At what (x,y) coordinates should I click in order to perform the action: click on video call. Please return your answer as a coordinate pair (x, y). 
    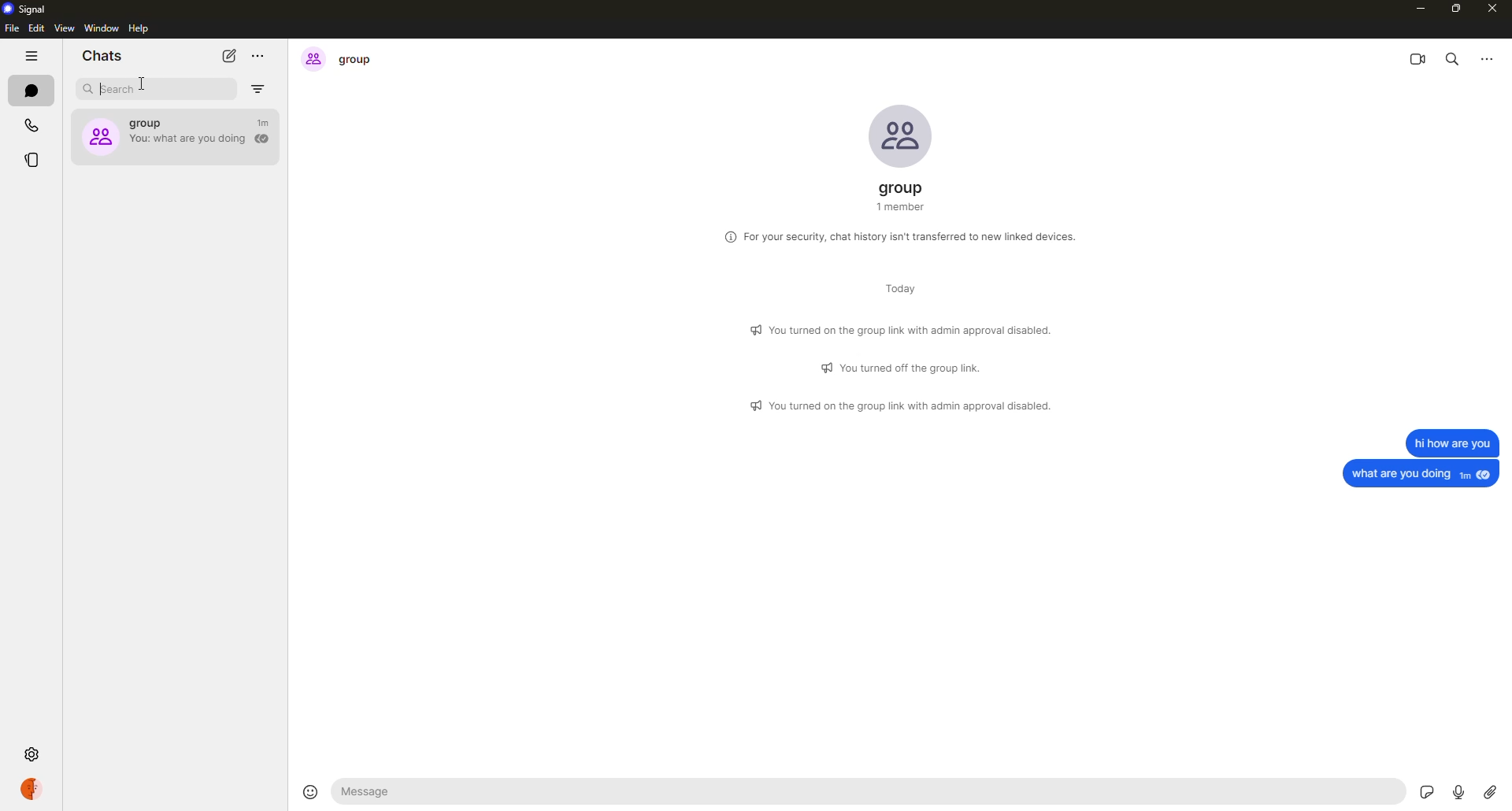
    Looking at the image, I should click on (1418, 57).